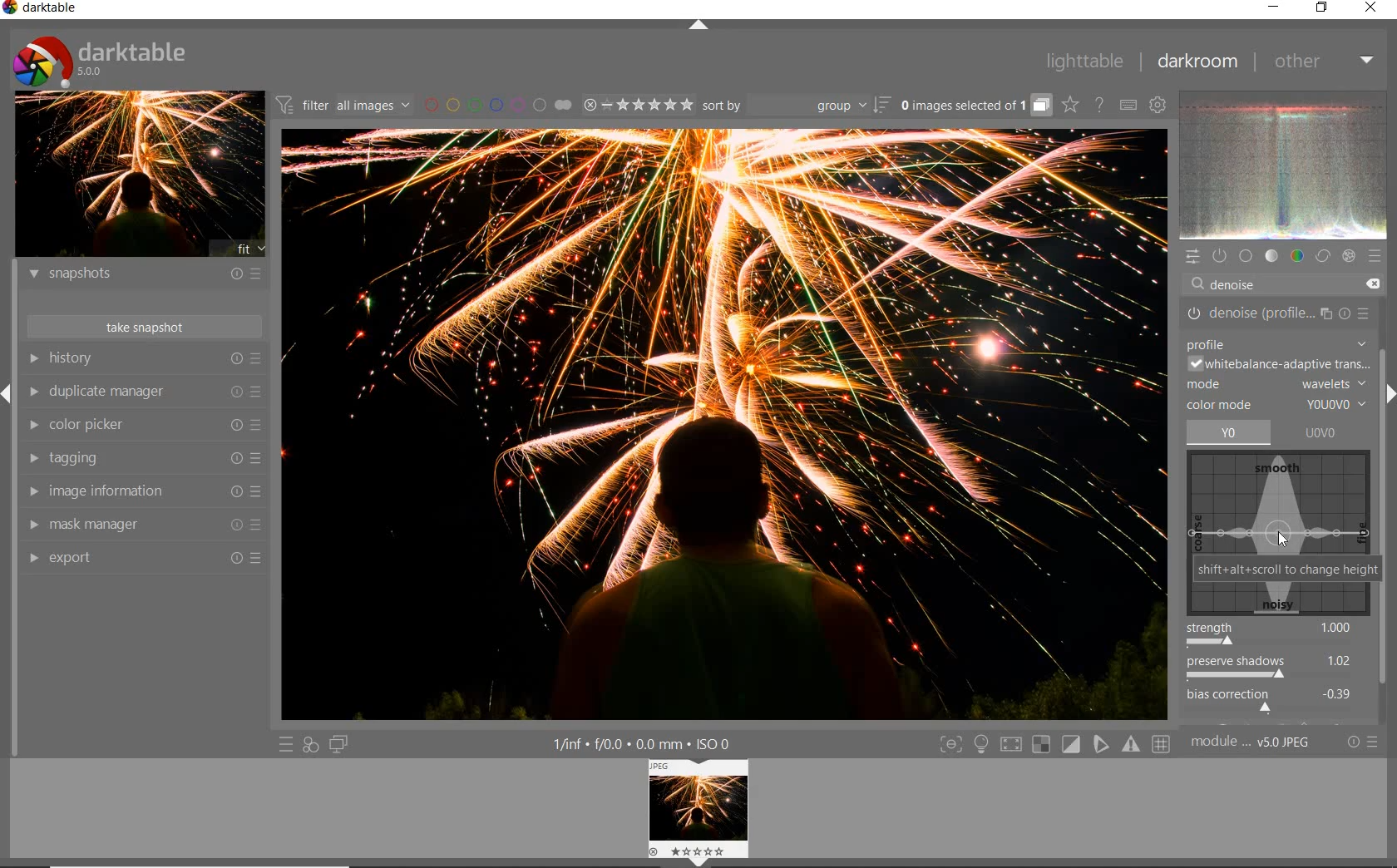 Image resolution: width=1397 pixels, height=868 pixels. What do you see at coordinates (311, 745) in the screenshot?
I see `quick access for applying any of your styles` at bounding box center [311, 745].